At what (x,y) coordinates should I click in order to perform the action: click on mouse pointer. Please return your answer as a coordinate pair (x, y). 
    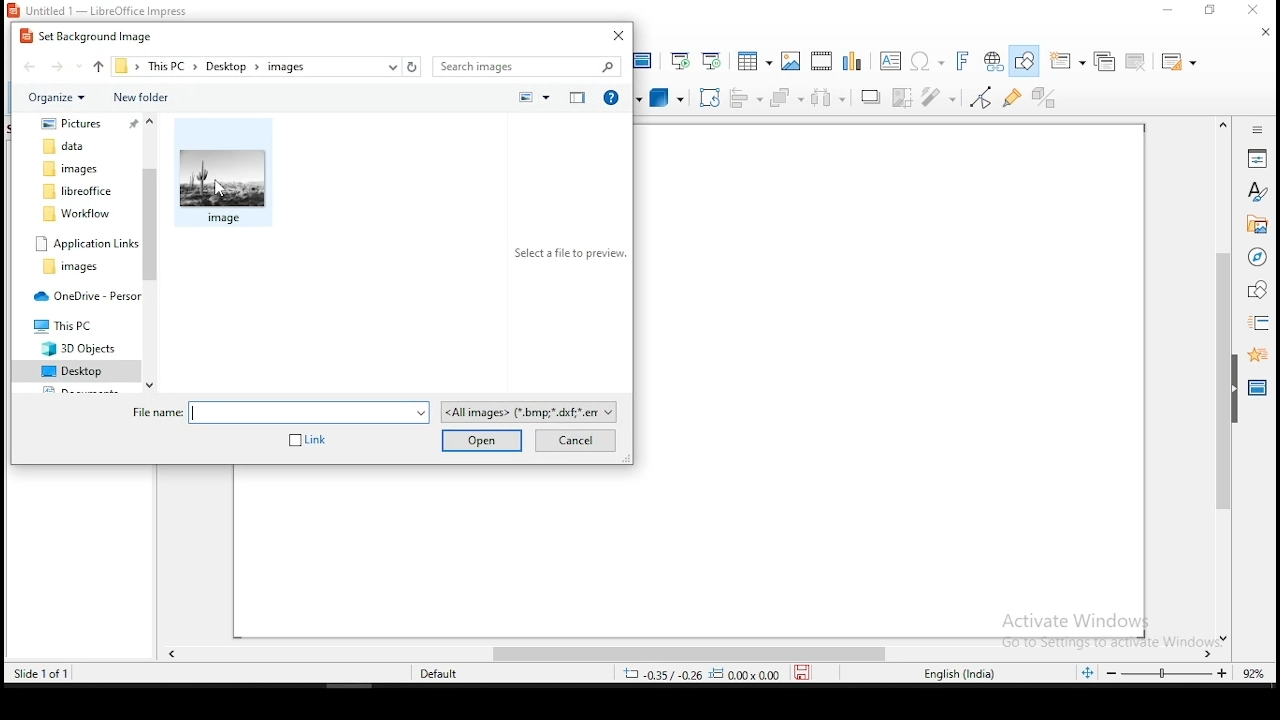
    Looking at the image, I should click on (220, 187).